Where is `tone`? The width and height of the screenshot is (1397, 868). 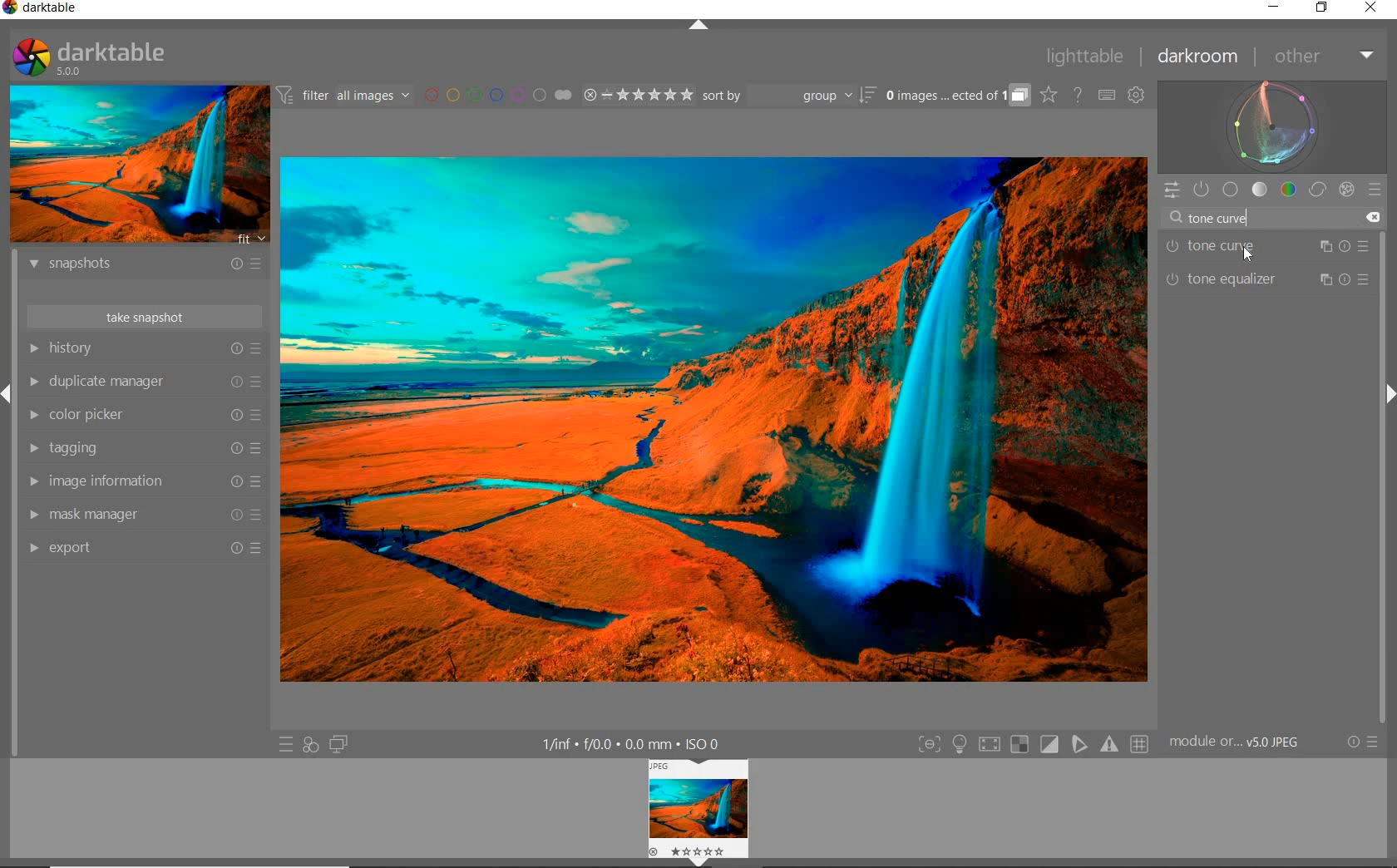
tone is located at coordinates (1260, 190).